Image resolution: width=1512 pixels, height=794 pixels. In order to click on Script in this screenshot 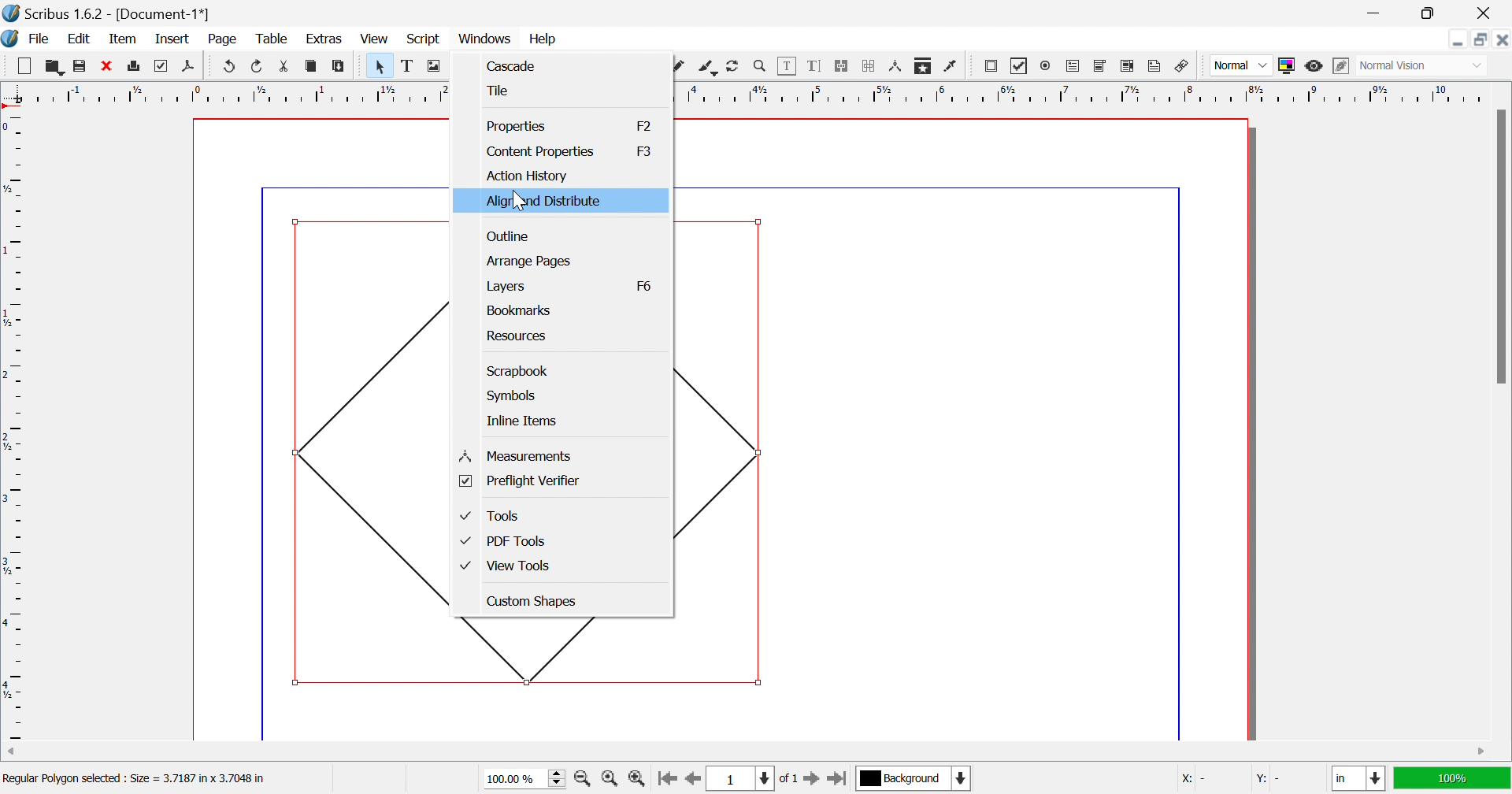, I will do `click(428, 40)`.